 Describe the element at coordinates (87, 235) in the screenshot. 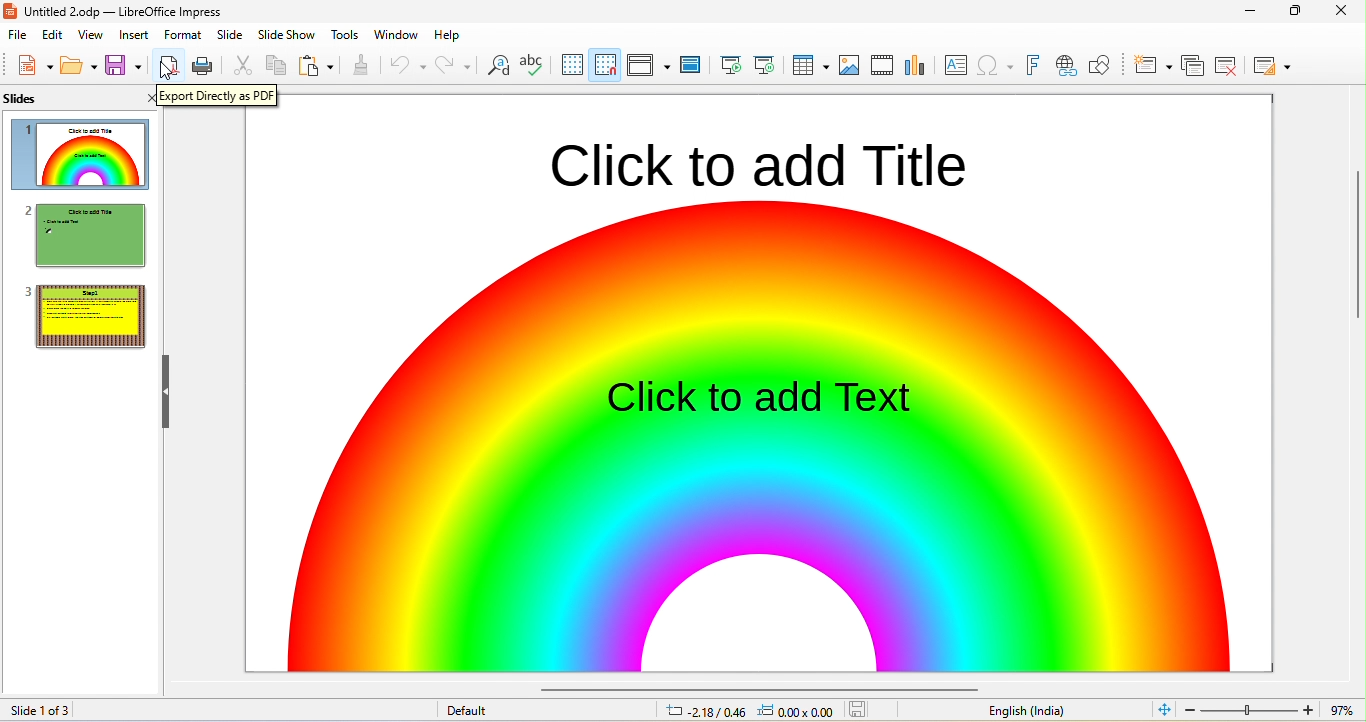

I see `slide2` at that location.